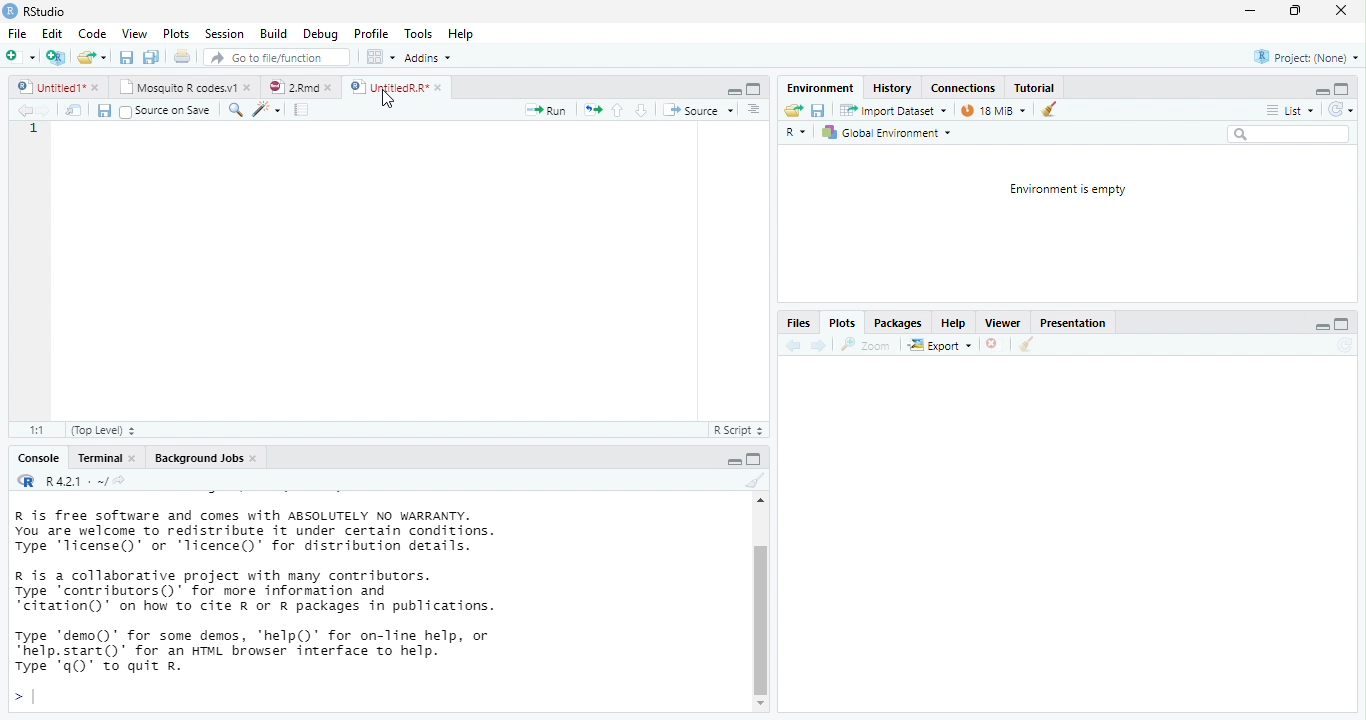  I want to click on Profile, so click(371, 34).